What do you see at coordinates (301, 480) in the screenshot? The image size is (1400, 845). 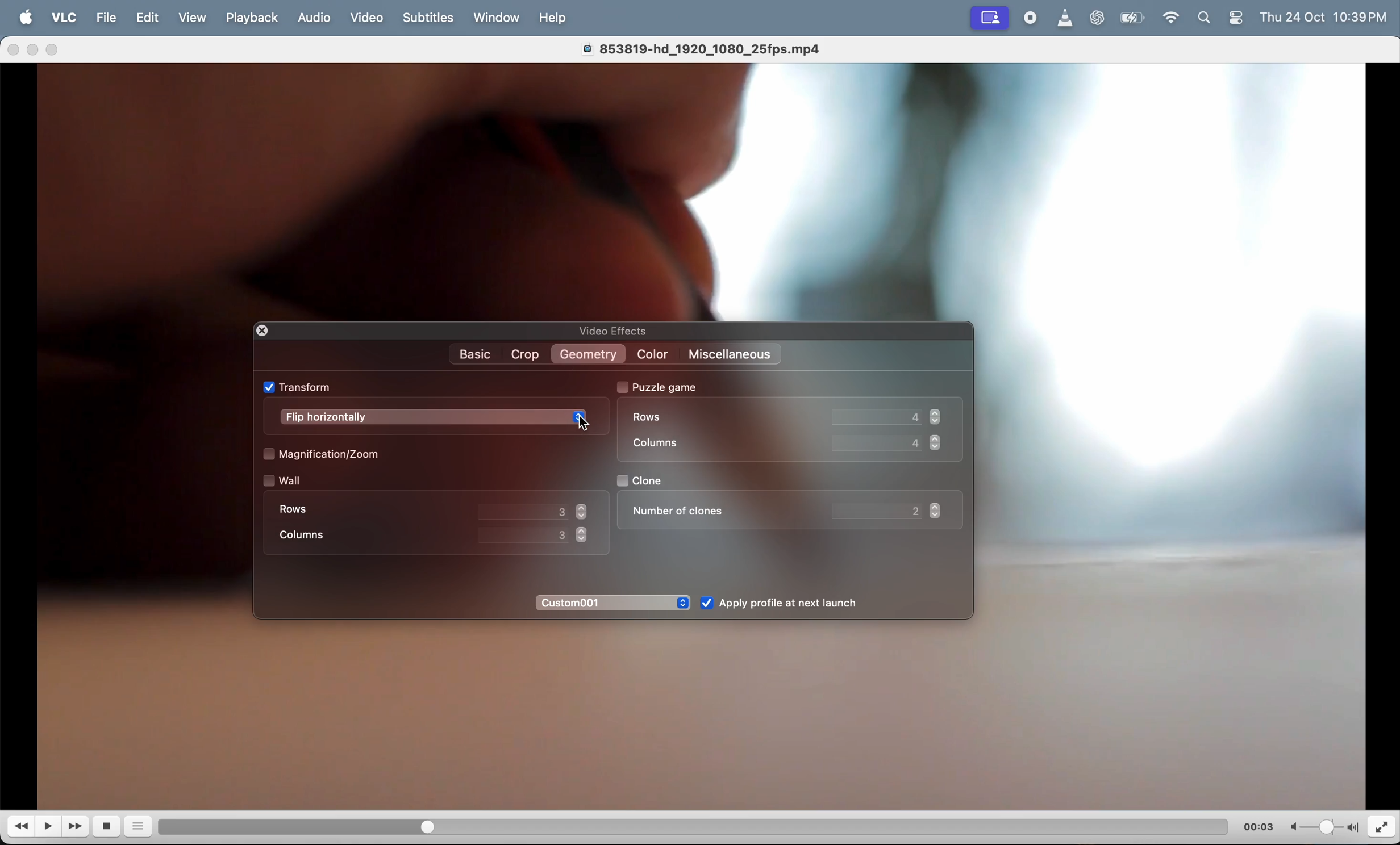 I see `wall` at bounding box center [301, 480].